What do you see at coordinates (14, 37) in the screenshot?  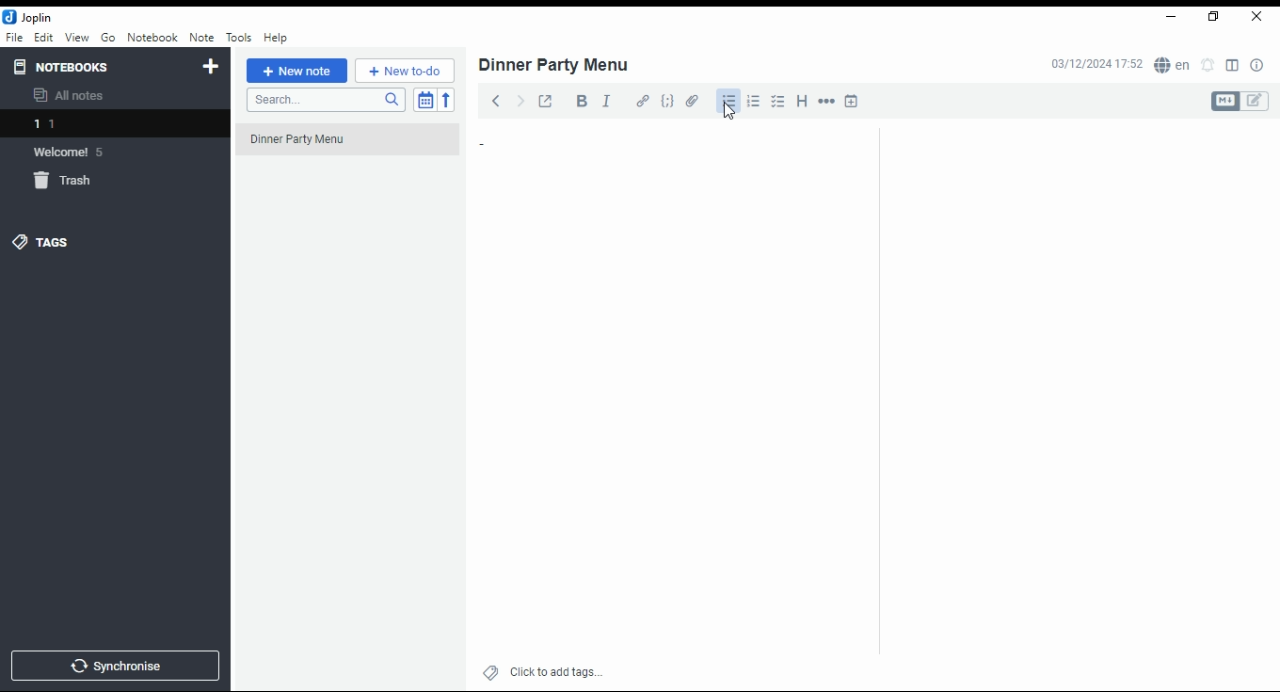 I see `file` at bounding box center [14, 37].